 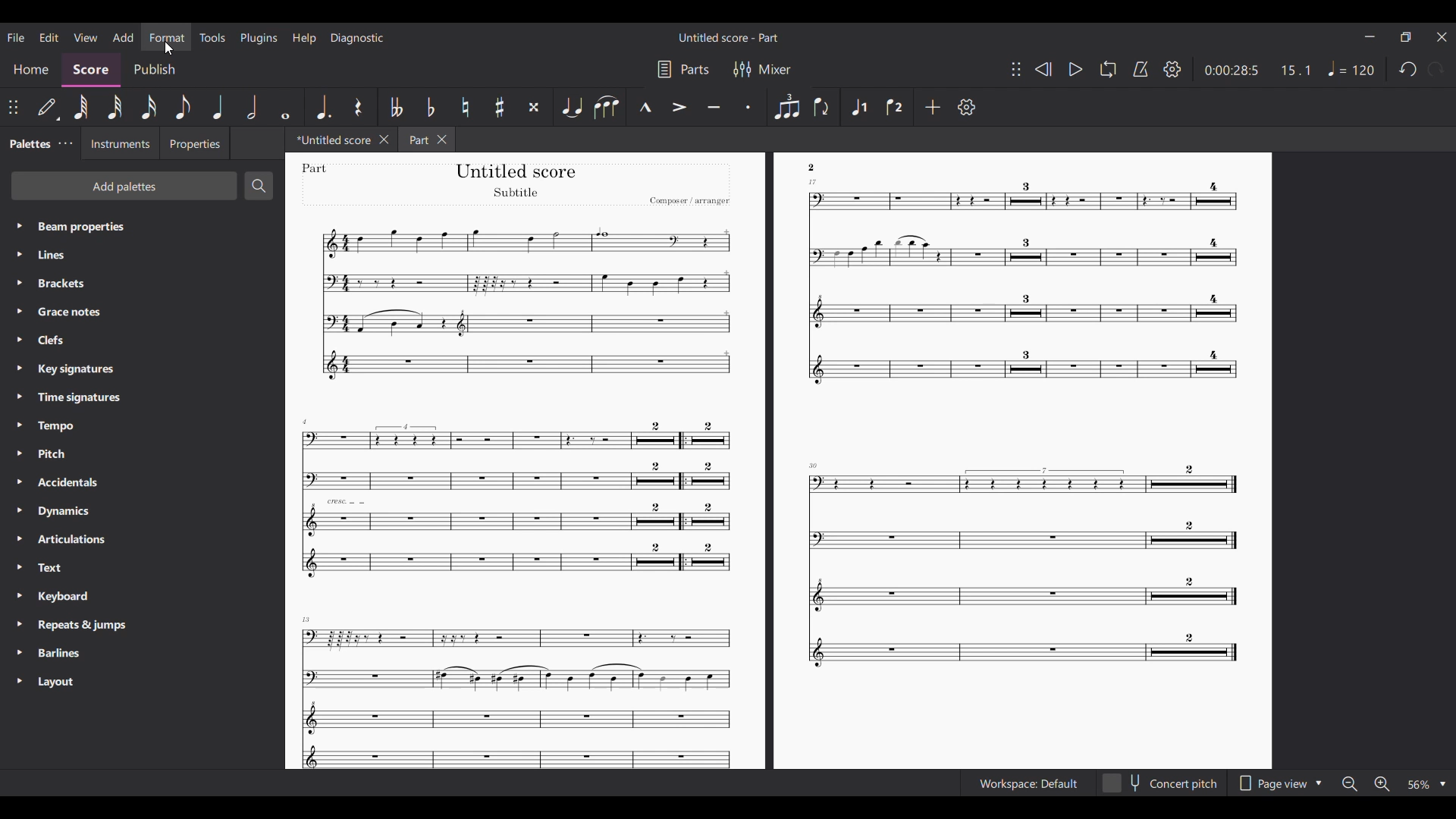 What do you see at coordinates (337, 140) in the screenshot?
I see `Untitled score` at bounding box center [337, 140].